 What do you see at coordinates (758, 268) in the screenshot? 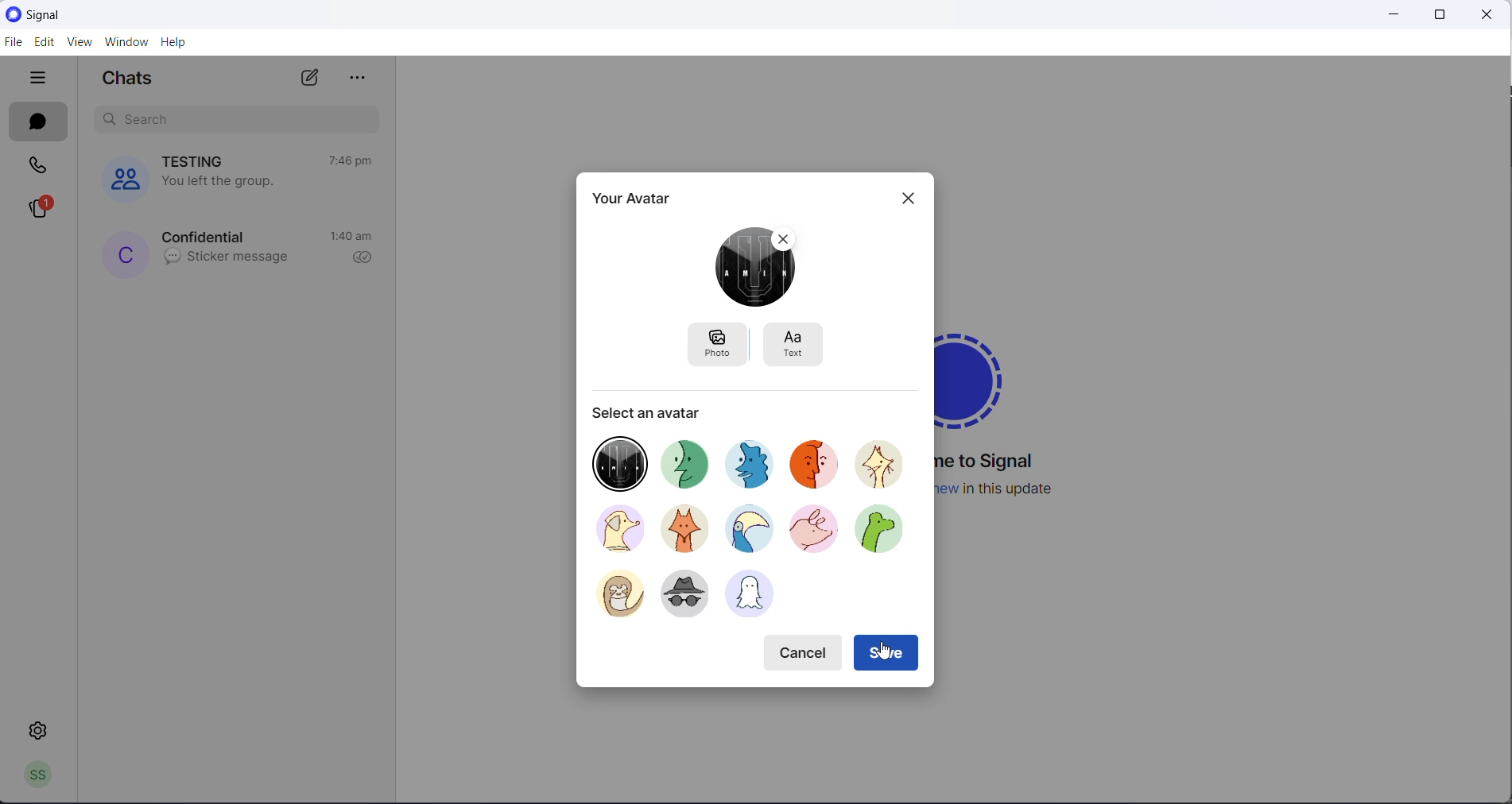
I see `profile picture` at bounding box center [758, 268].